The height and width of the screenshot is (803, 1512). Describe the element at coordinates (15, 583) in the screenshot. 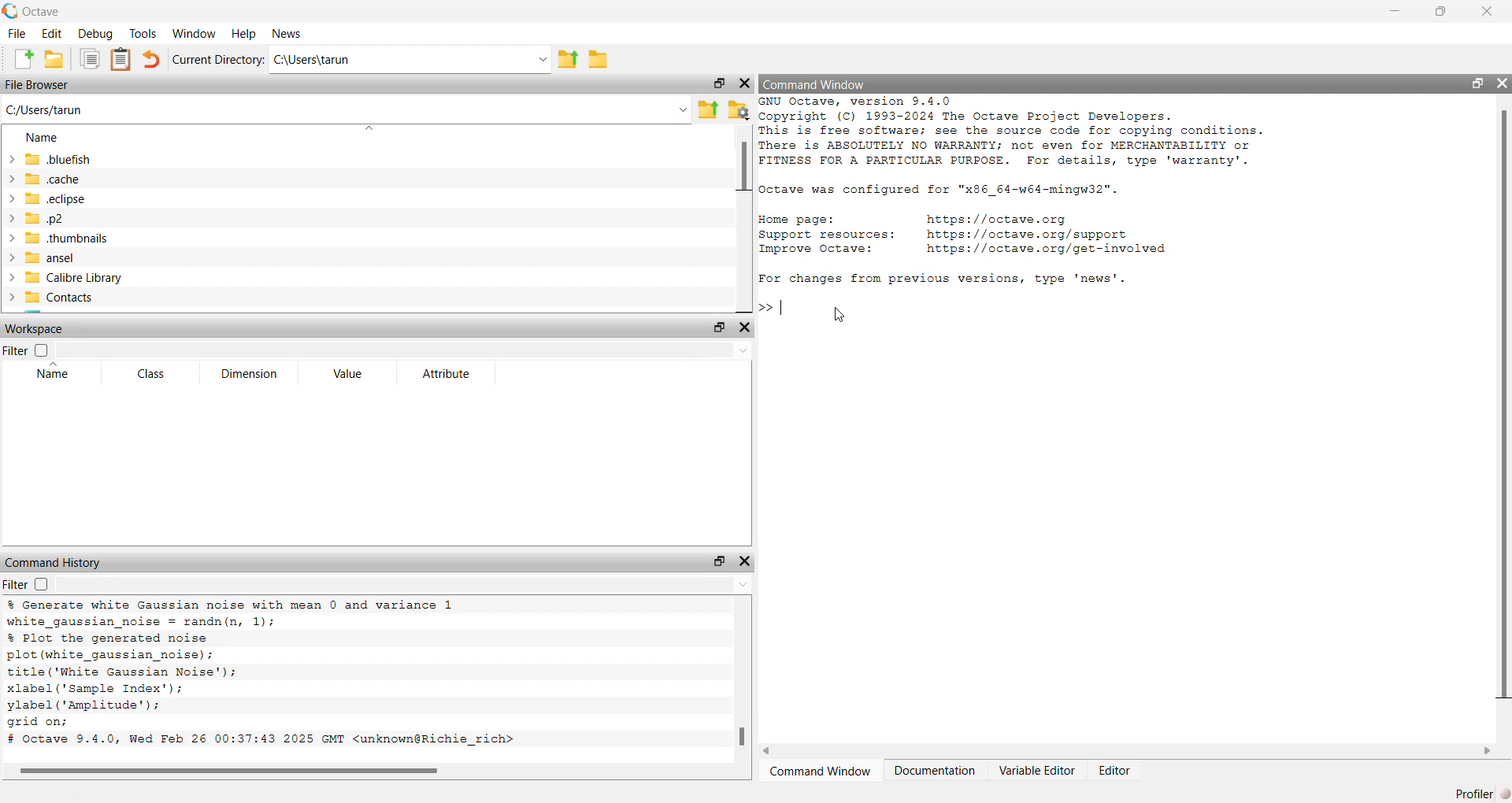

I see `filter` at that location.